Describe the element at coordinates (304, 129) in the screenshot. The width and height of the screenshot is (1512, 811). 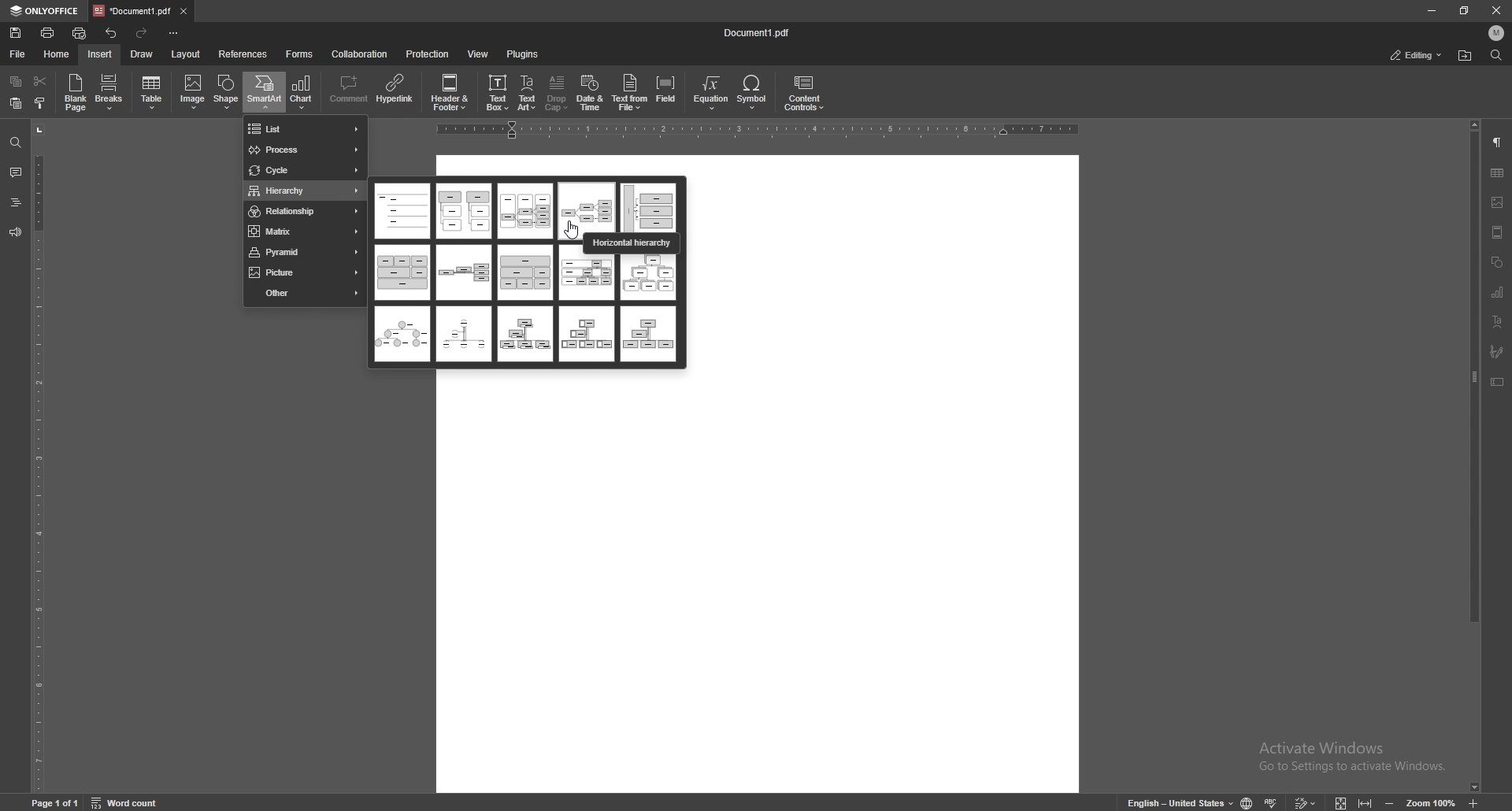
I see `list` at that location.